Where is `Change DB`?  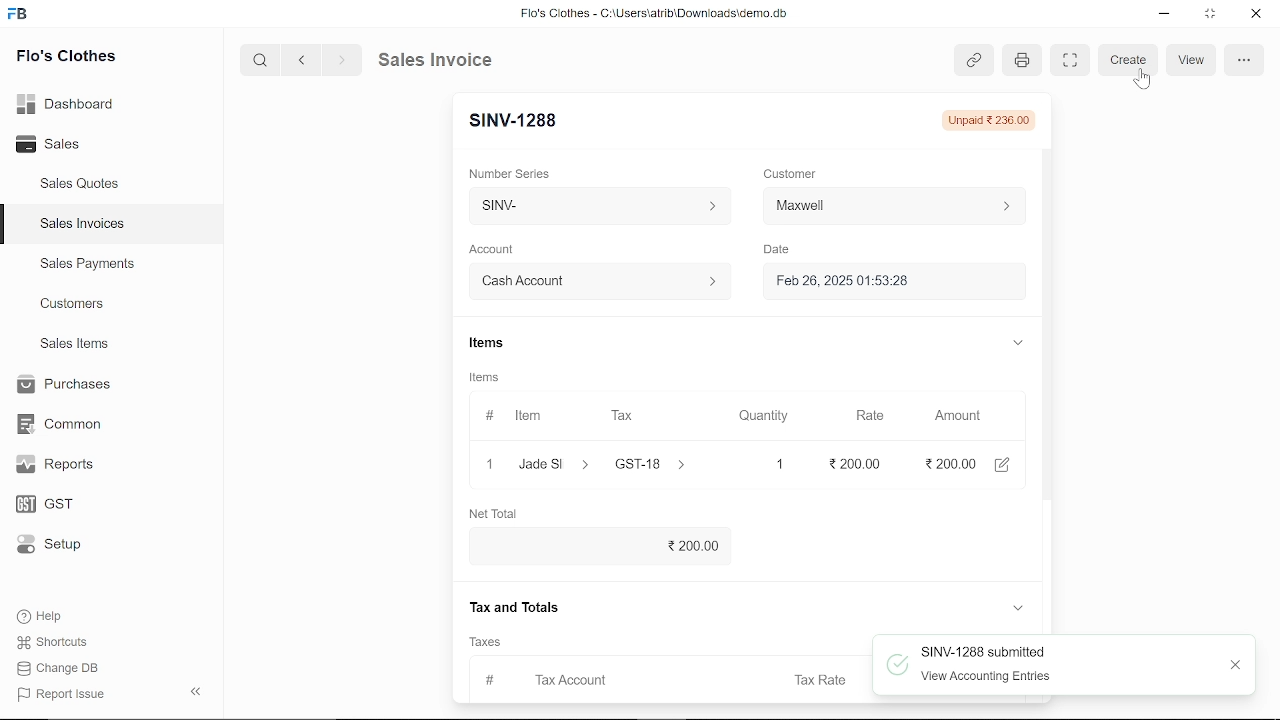
Change DB is located at coordinates (64, 668).